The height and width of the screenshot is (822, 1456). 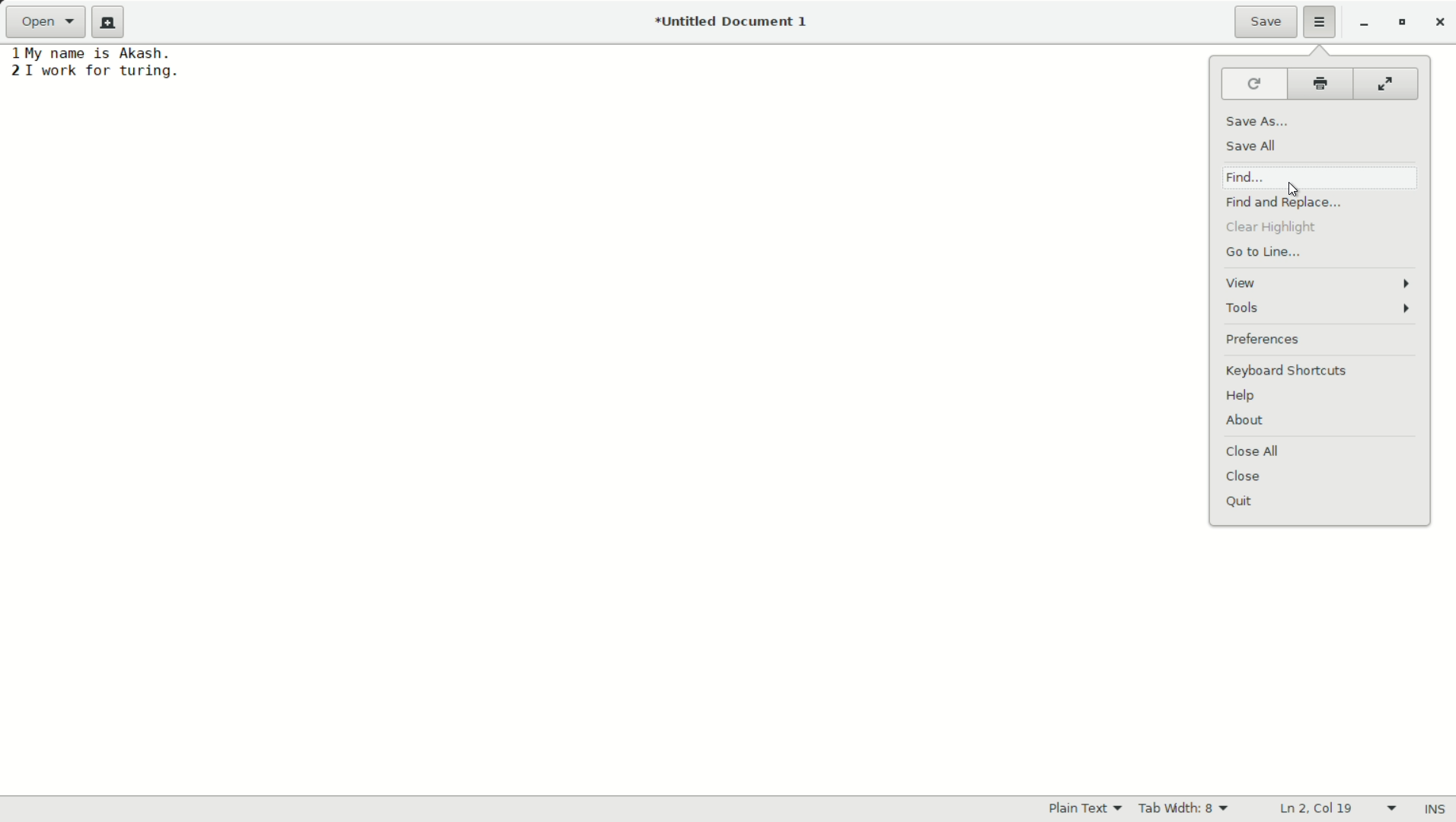 What do you see at coordinates (1432, 808) in the screenshot?
I see `ins` at bounding box center [1432, 808].